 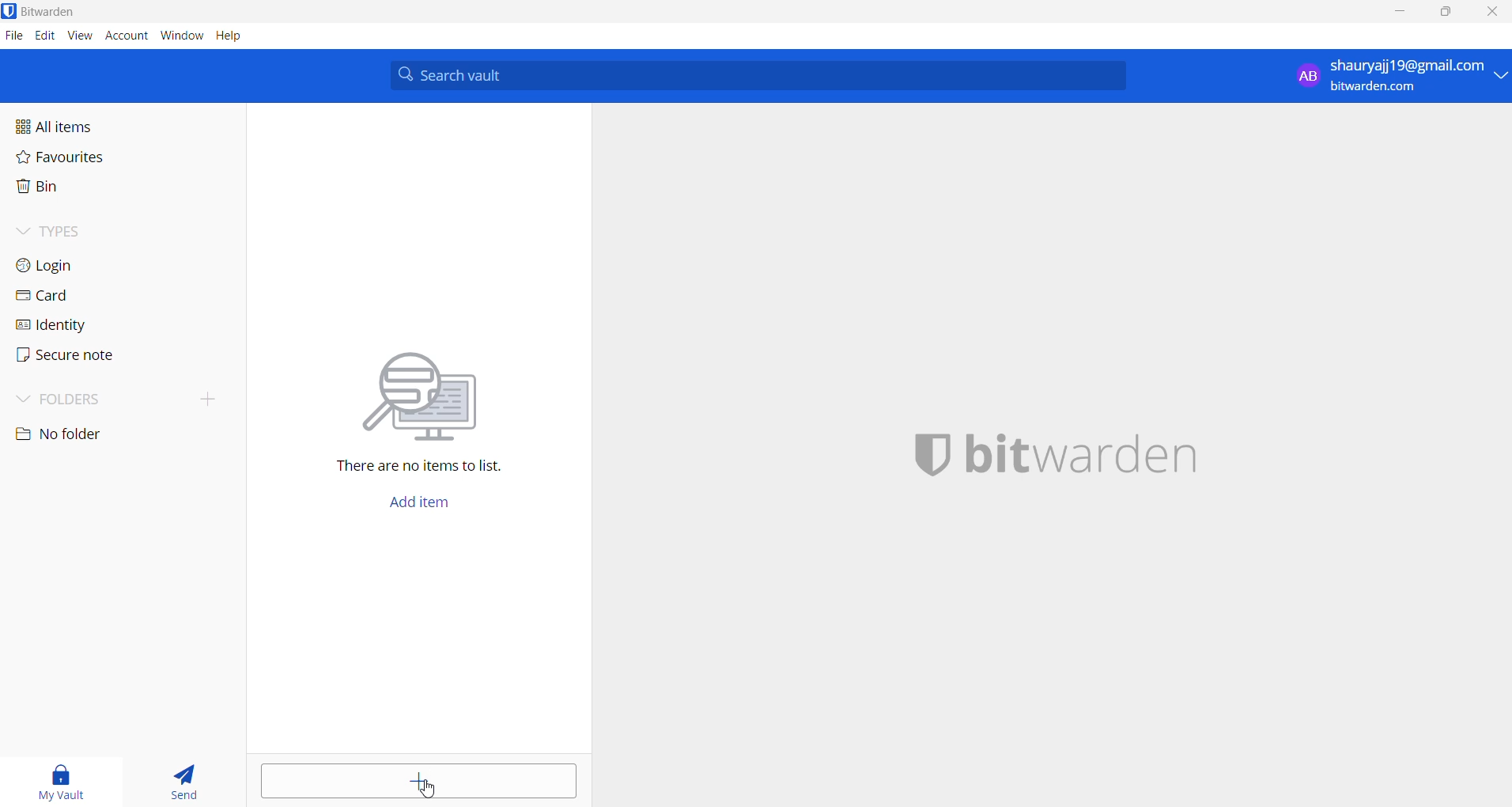 I want to click on cursor, so click(x=429, y=789).